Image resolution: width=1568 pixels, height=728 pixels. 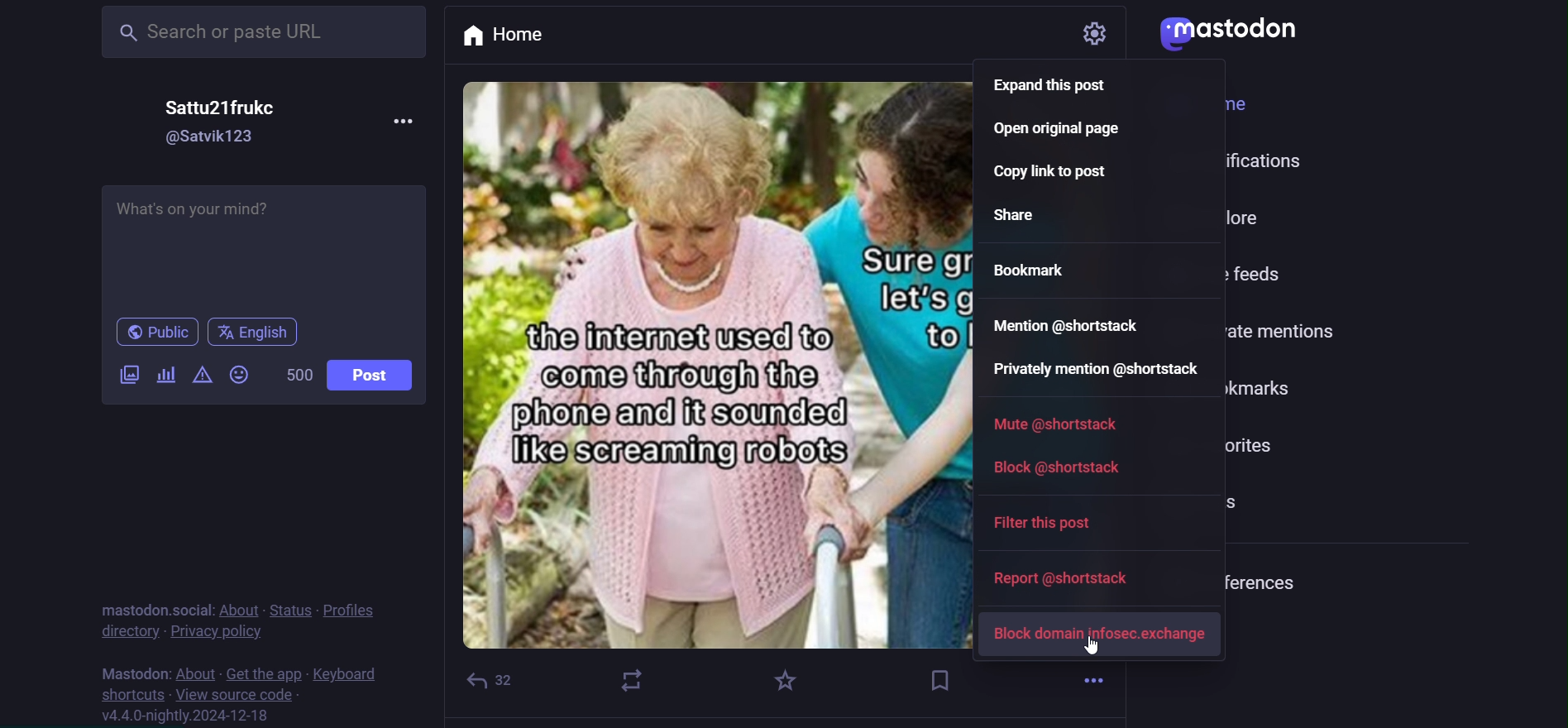 What do you see at coordinates (1080, 32) in the screenshot?
I see `setting` at bounding box center [1080, 32].